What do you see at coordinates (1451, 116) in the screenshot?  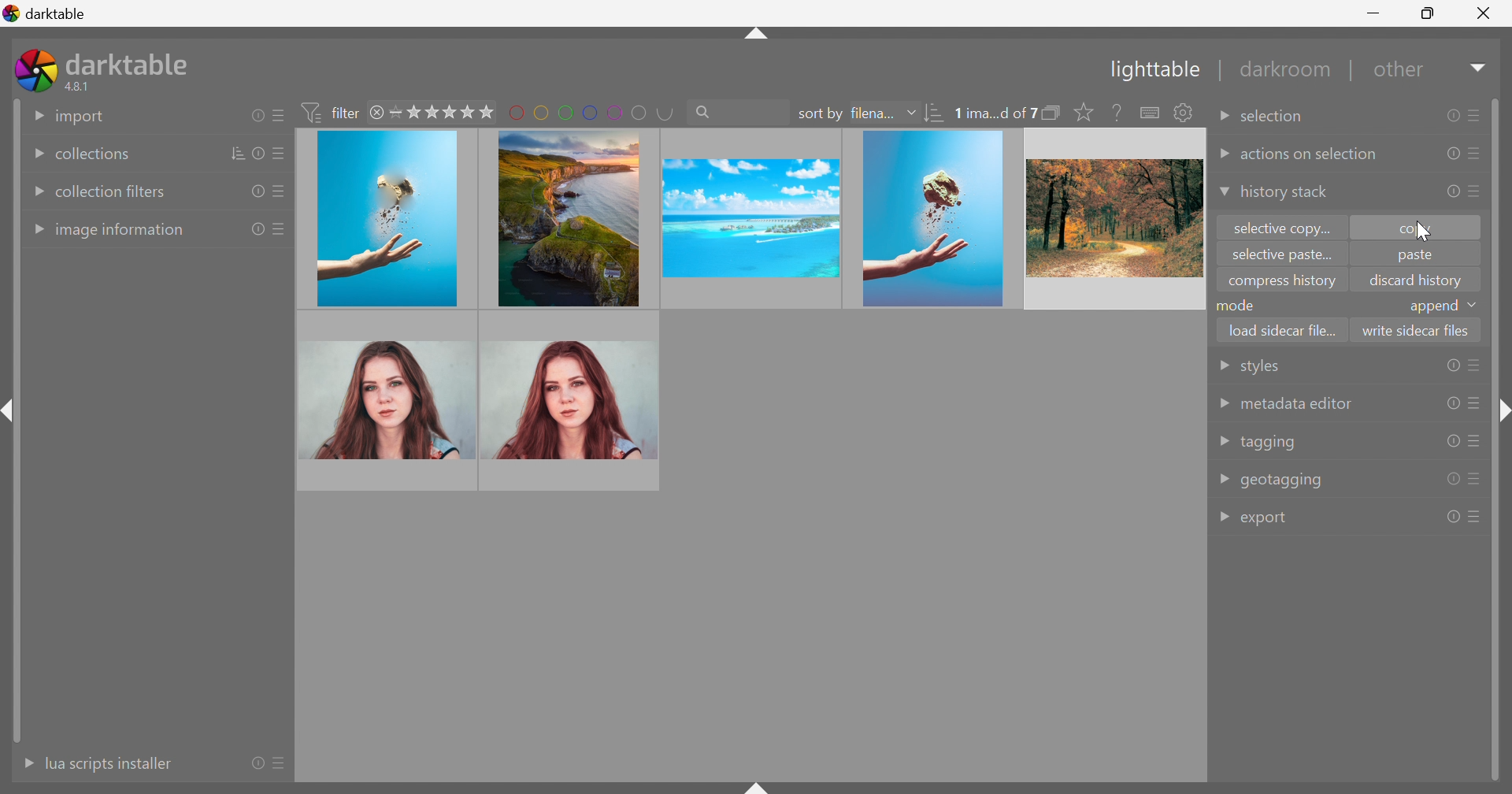 I see `reset` at bounding box center [1451, 116].